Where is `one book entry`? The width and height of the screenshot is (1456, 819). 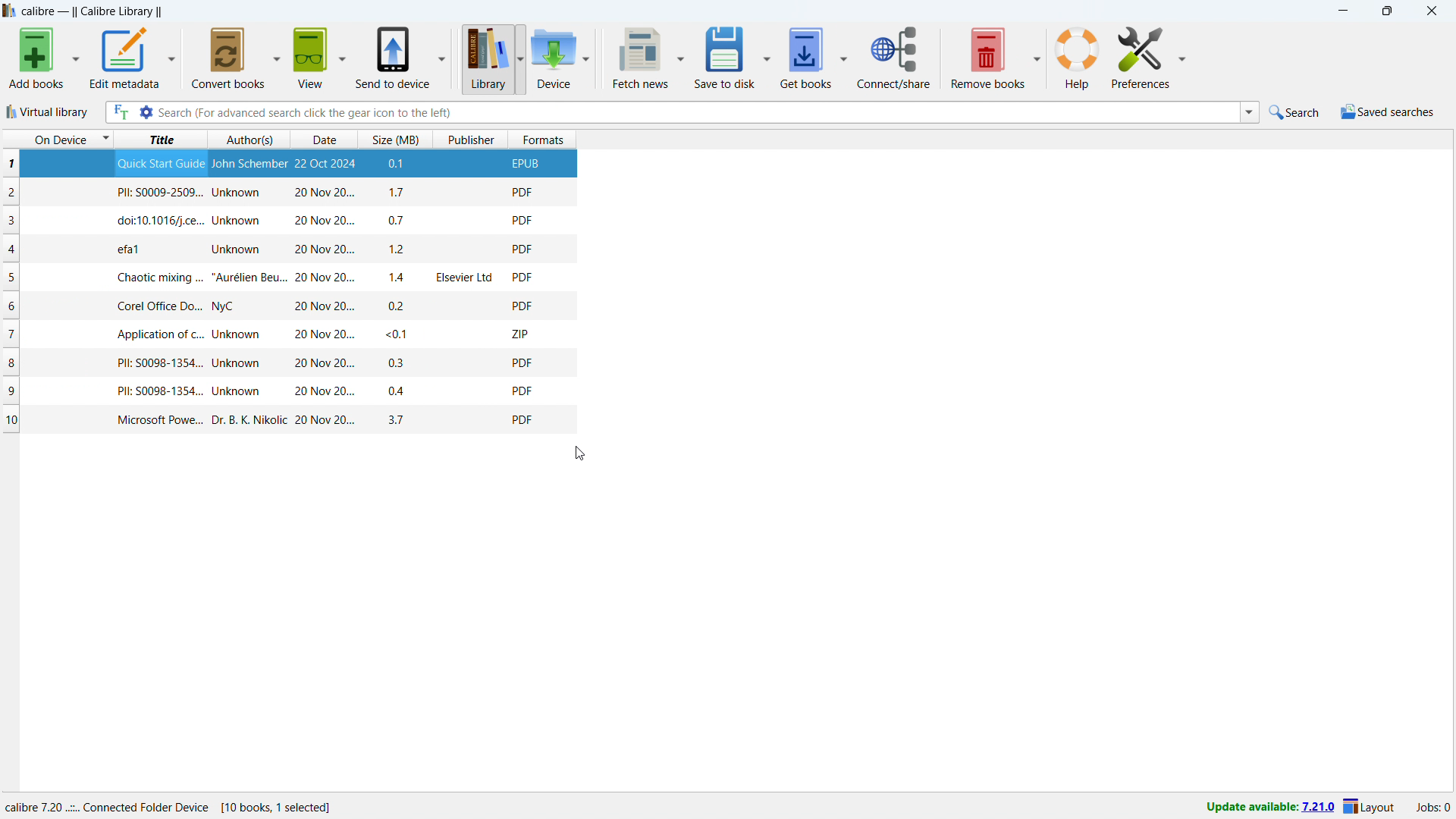 one book entry is located at coordinates (285, 306).